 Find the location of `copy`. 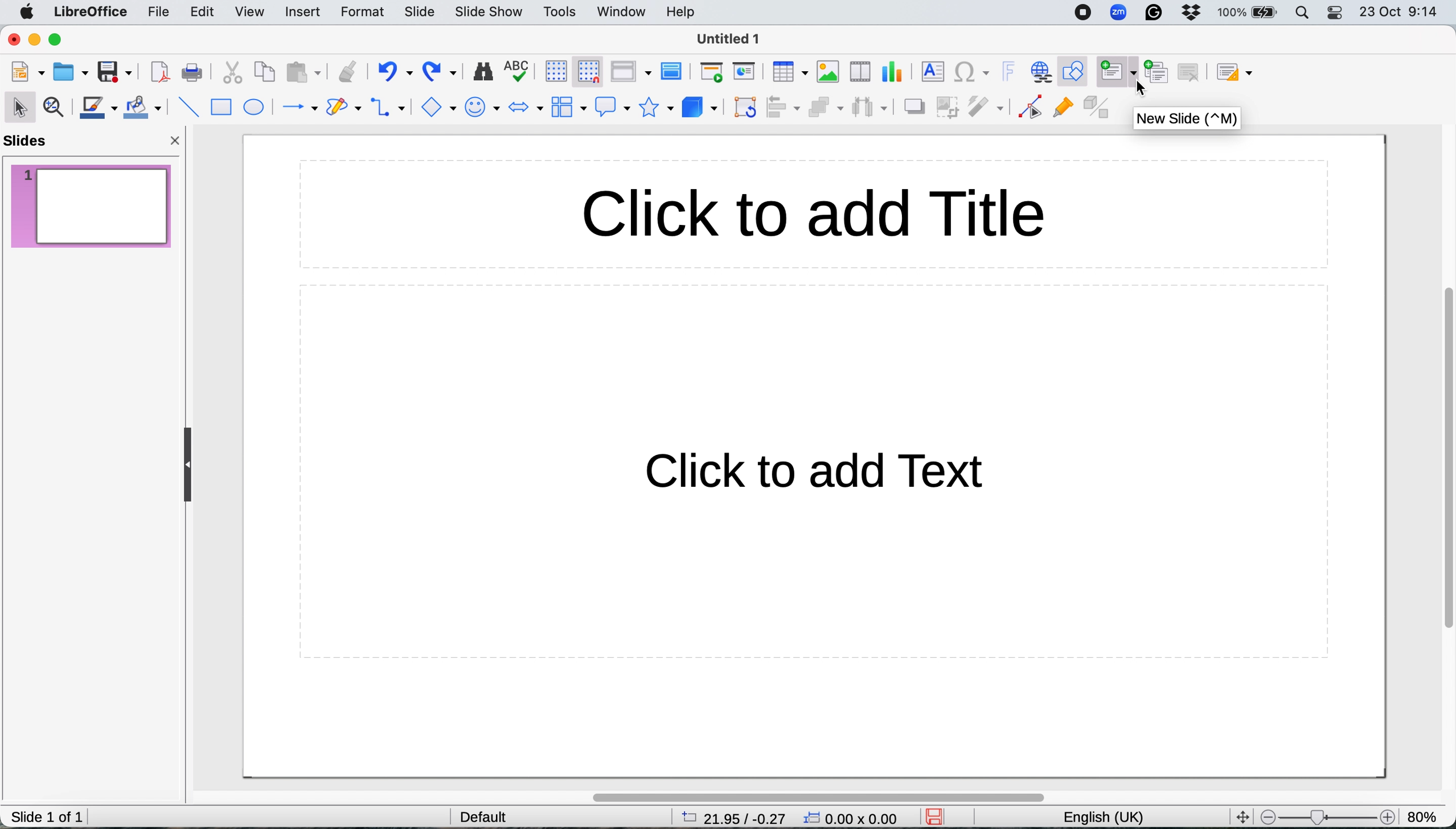

copy is located at coordinates (264, 72).